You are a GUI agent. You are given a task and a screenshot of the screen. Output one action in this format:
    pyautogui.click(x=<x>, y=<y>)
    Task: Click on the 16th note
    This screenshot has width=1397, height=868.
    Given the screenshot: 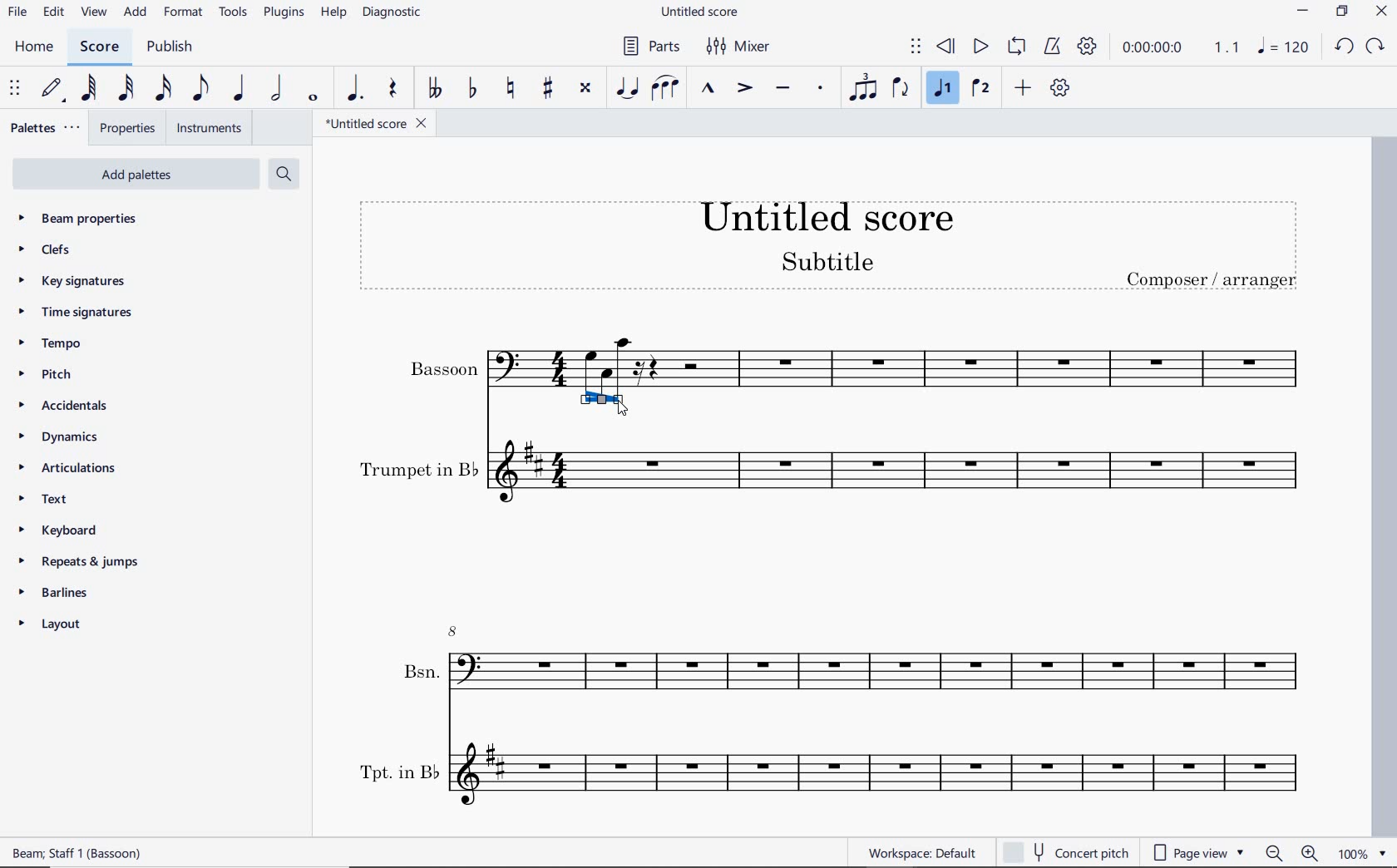 What is the action you would take?
    pyautogui.click(x=164, y=90)
    